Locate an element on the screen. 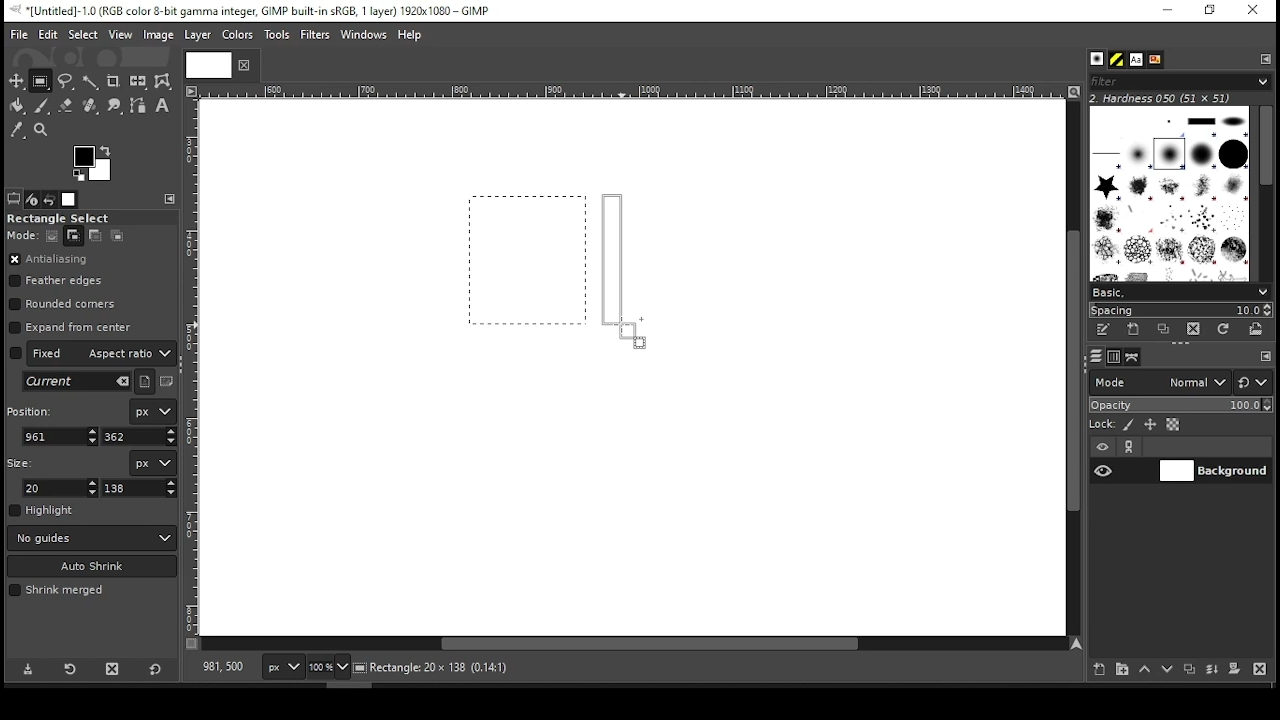  rectangle select is located at coordinates (75, 218).